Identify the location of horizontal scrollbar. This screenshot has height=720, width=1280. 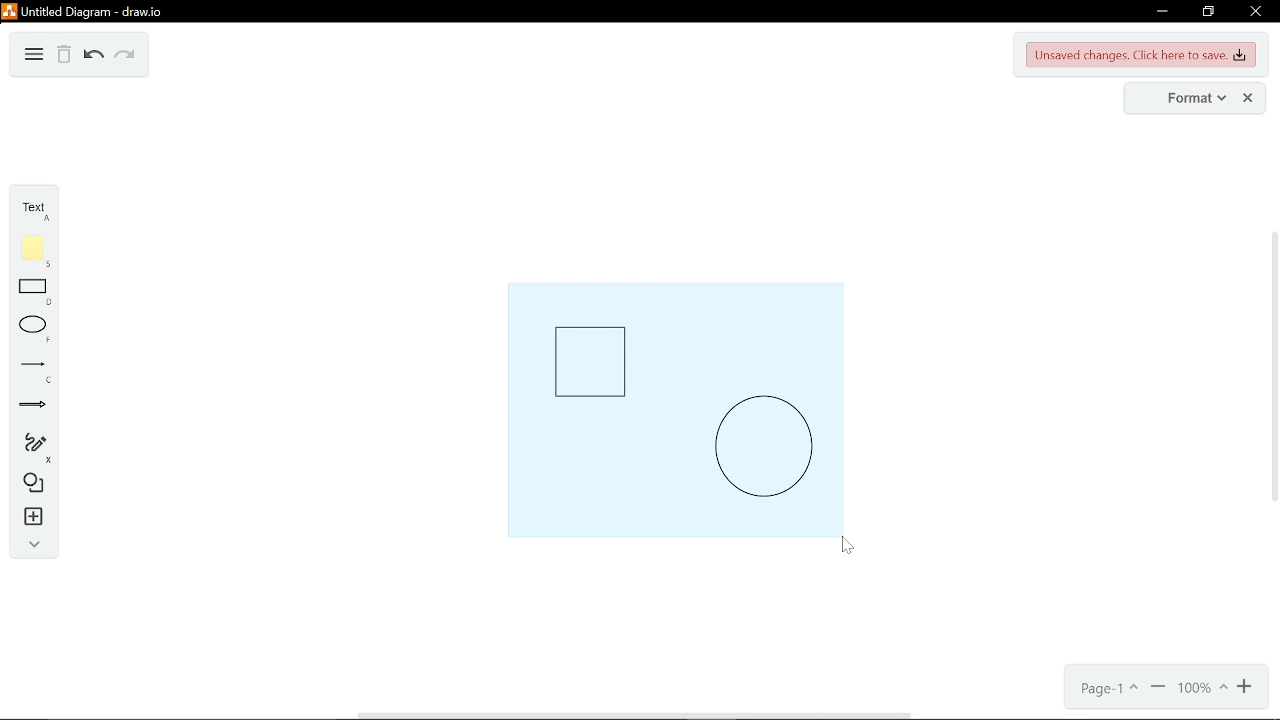
(635, 715).